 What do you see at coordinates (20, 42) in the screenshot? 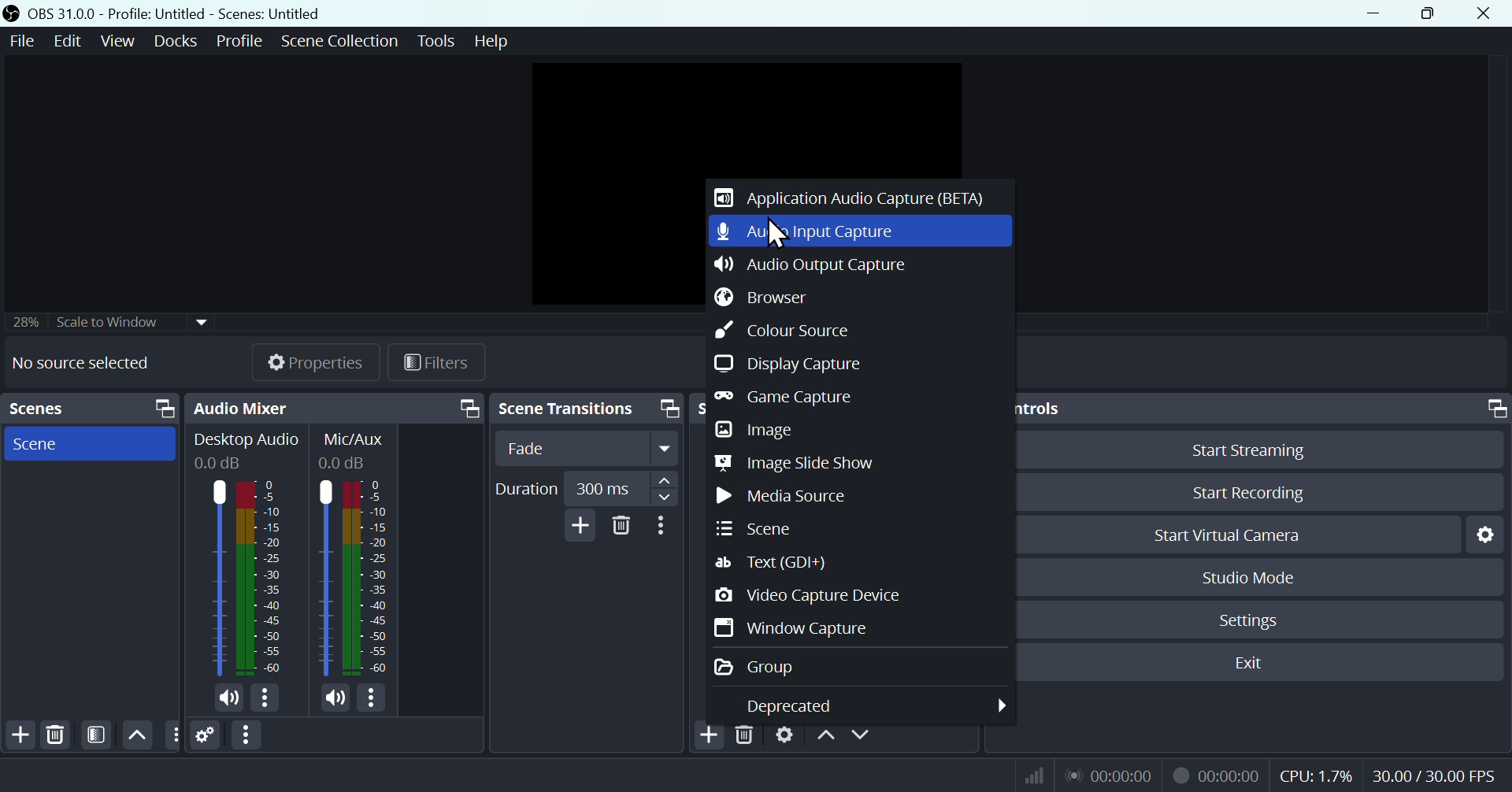
I see `File` at bounding box center [20, 42].